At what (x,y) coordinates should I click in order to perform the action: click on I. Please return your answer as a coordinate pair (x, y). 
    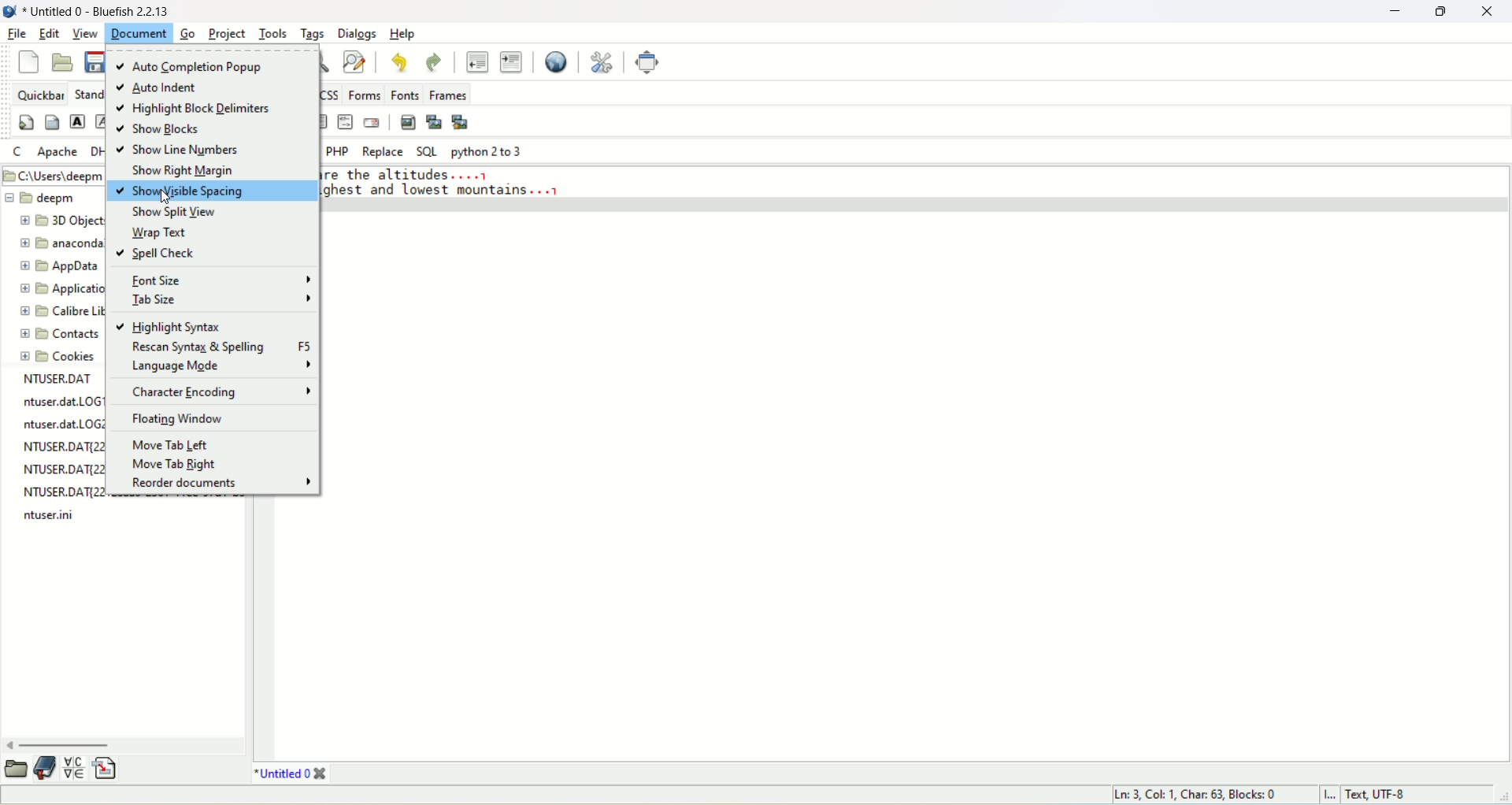
    Looking at the image, I should click on (1331, 796).